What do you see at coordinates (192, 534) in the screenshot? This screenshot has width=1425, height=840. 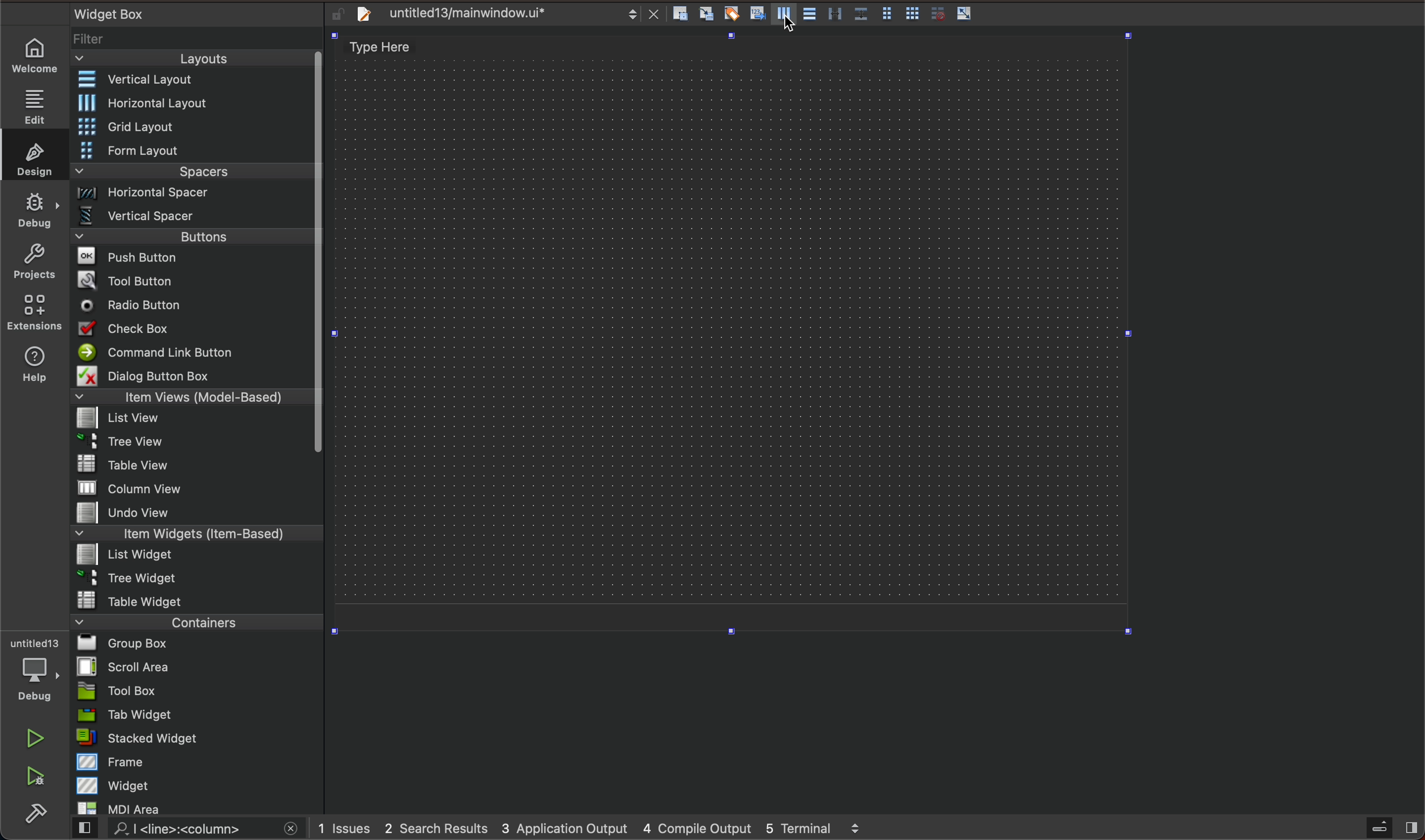 I see `items widget` at bounding box center [192, 534].